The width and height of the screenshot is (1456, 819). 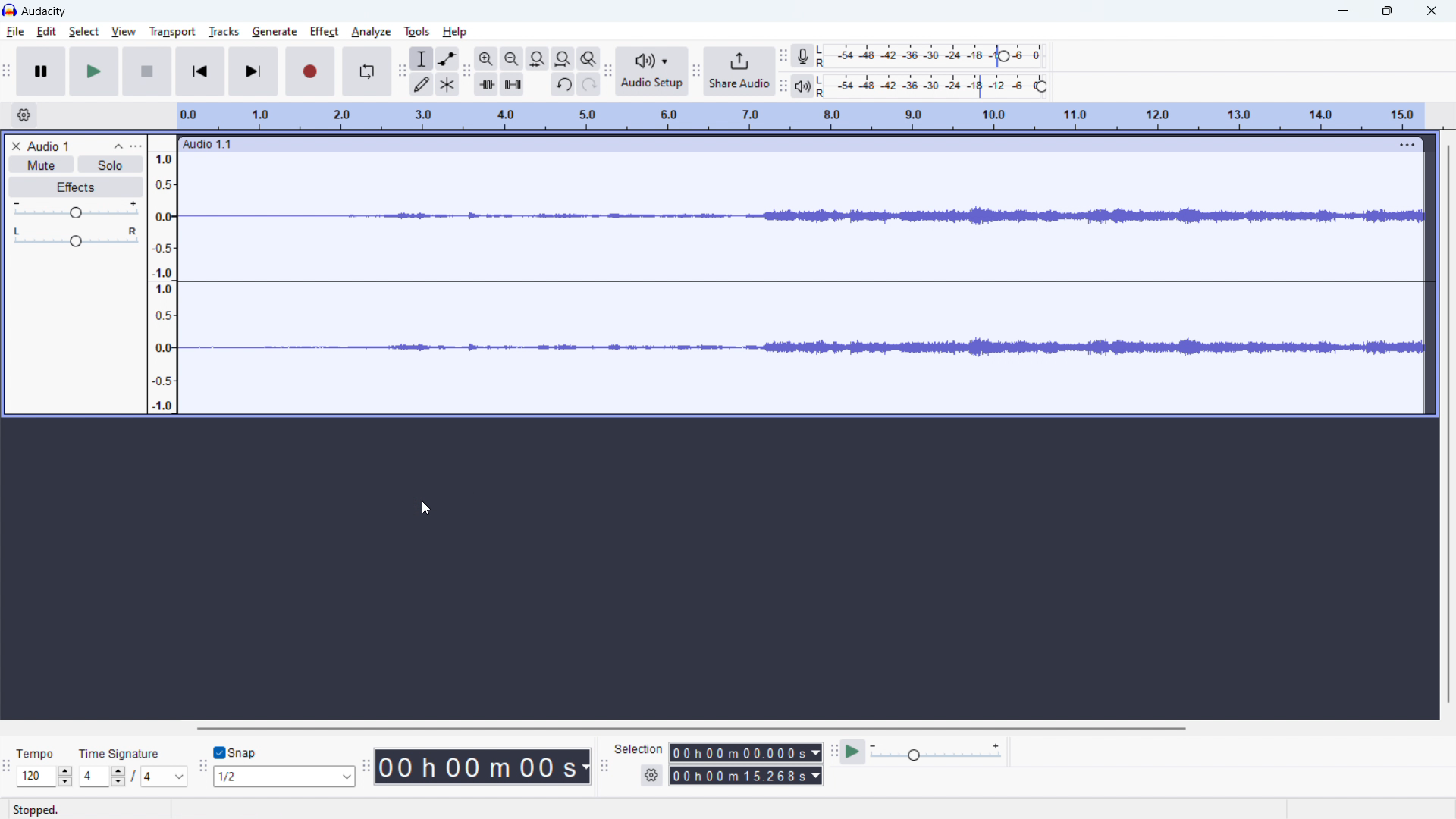 What do you see at coordinates (366, 71) in the screenshot?
I see `enable looping` at bounding box center [366, 71].